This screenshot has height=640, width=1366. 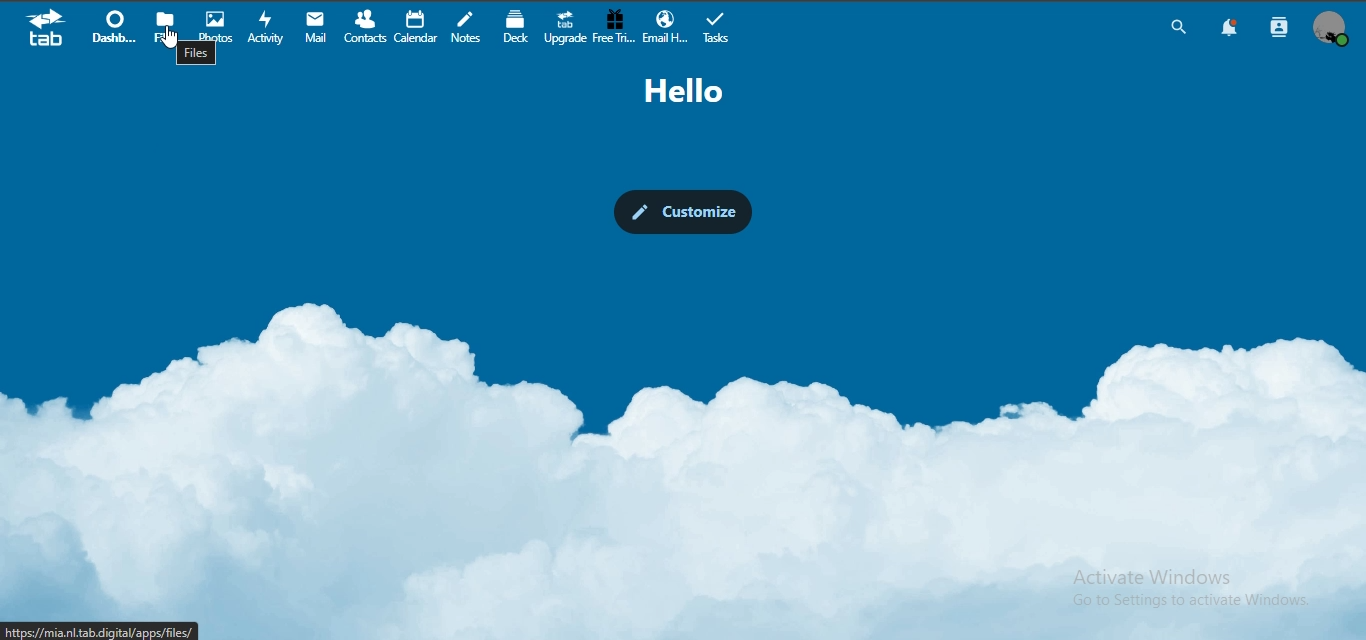 I want to click on customize, so click(x=681, y=210).